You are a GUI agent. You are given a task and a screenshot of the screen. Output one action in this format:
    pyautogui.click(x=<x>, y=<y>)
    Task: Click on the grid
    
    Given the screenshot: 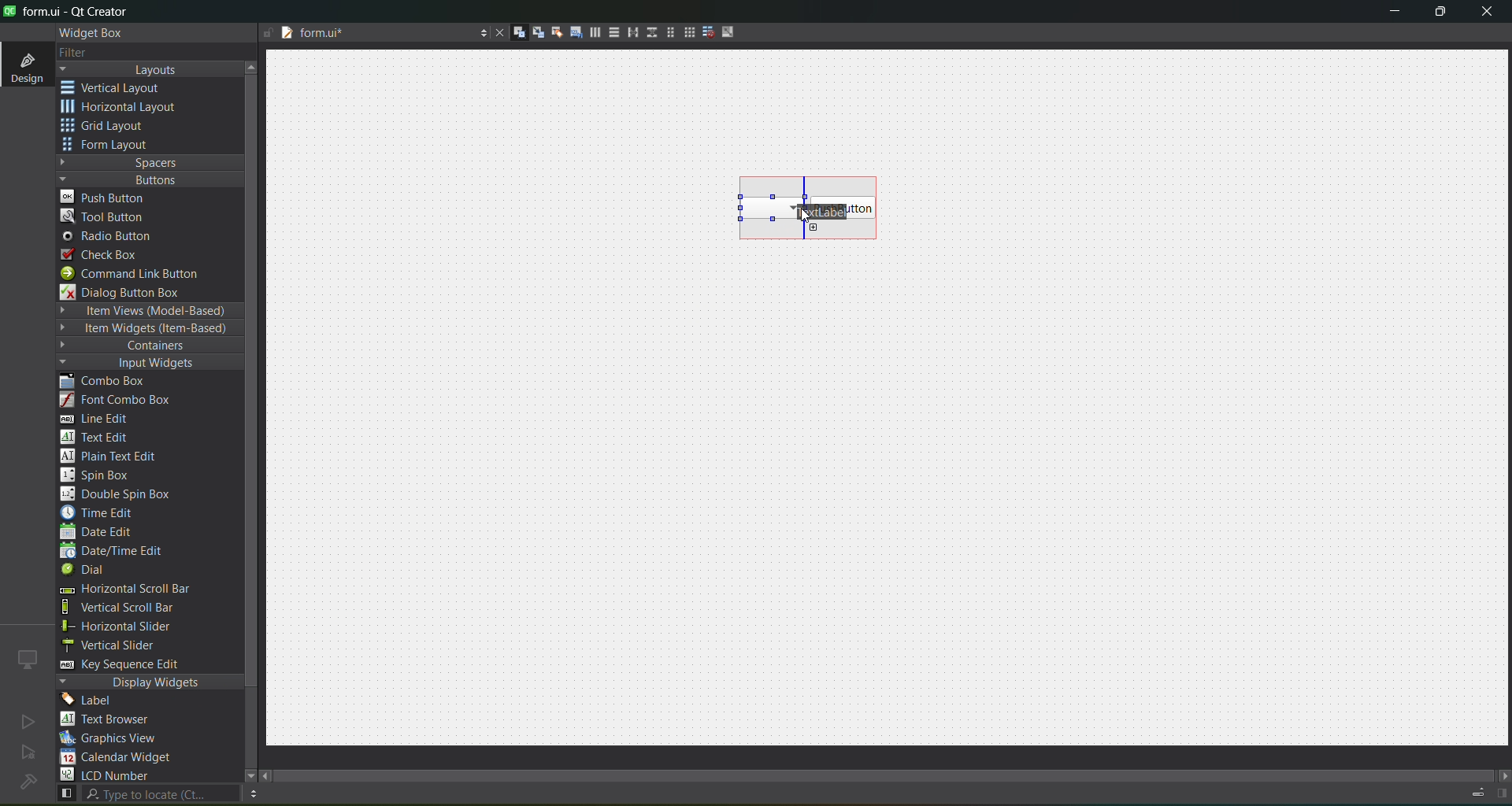 What is the action you would take?
    pyautogui.click(x=113, y=128)
    